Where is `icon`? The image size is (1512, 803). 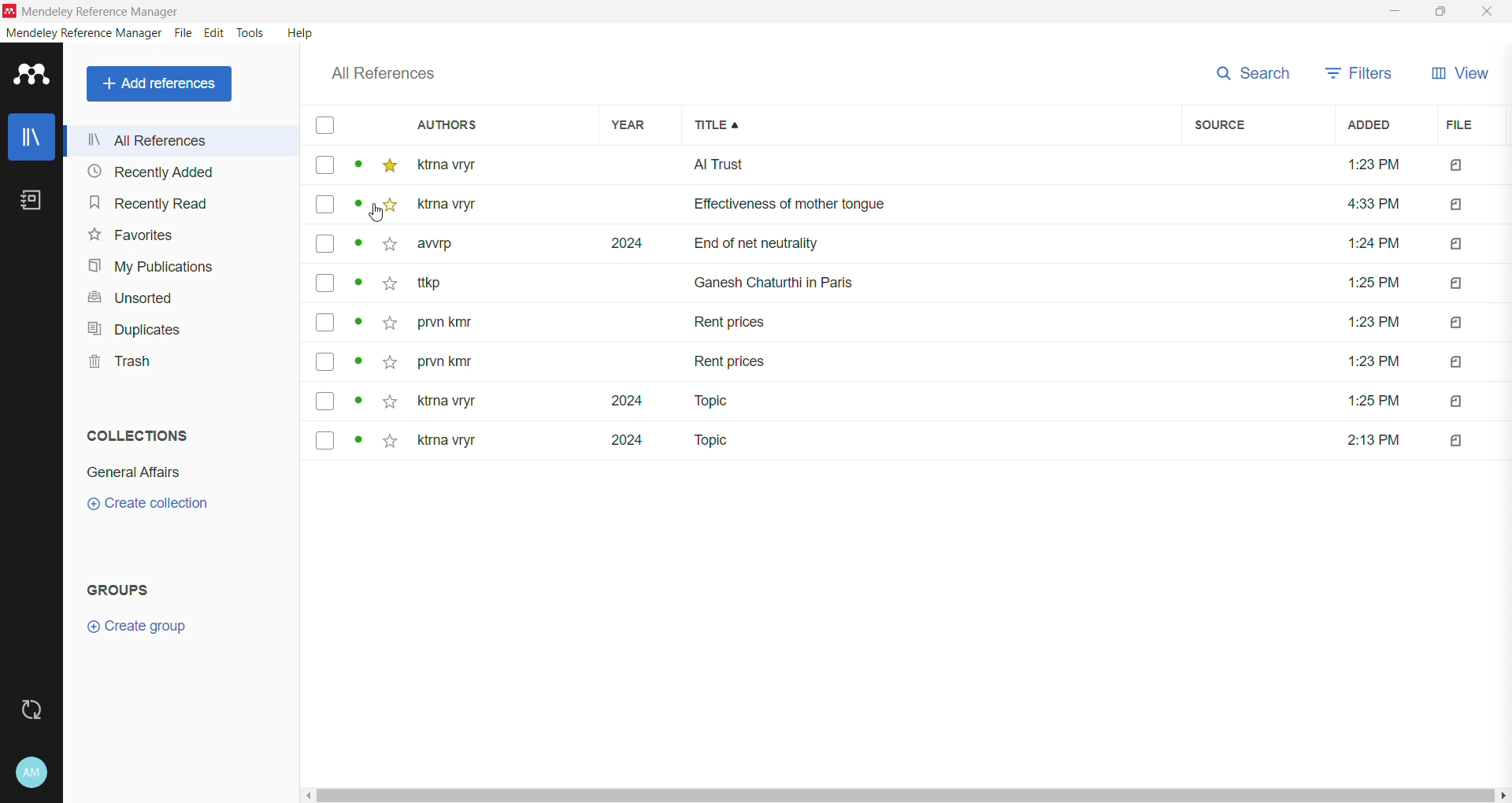 icon is located at coordinates (1461, 399).